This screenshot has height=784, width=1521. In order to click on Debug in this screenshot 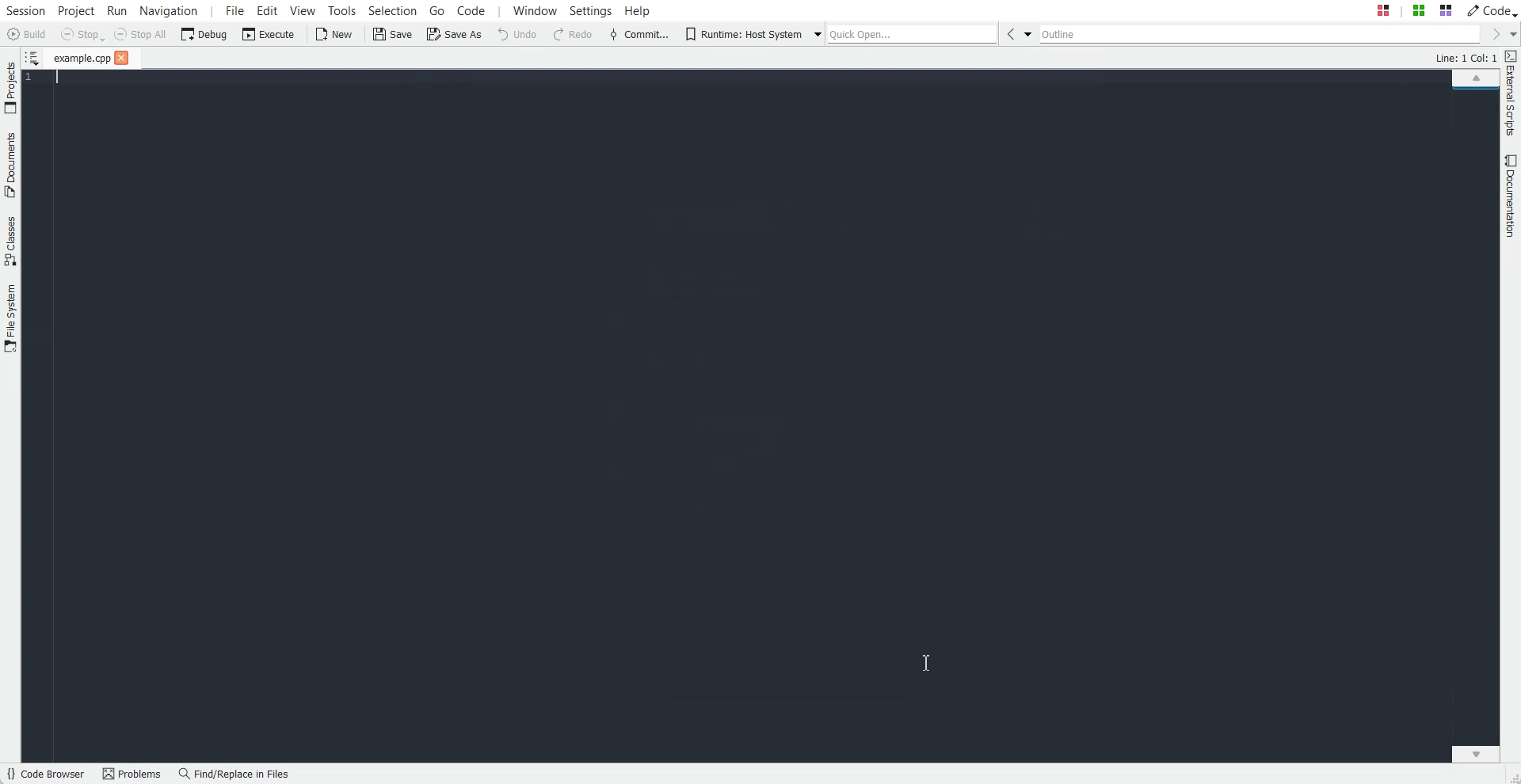, I will do `click(204, 33)`.